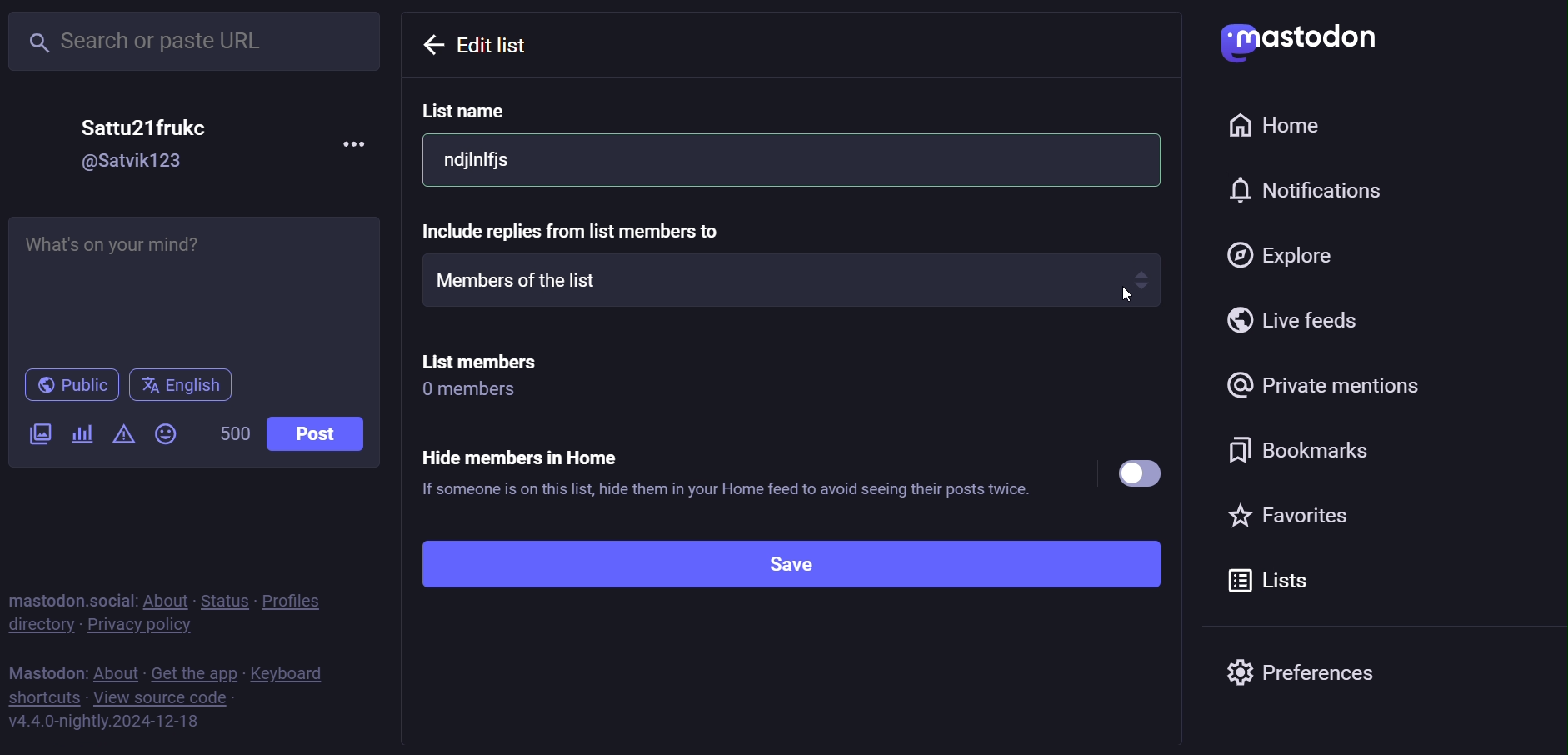  I want to click on list members 0 members, so click(482, 375).